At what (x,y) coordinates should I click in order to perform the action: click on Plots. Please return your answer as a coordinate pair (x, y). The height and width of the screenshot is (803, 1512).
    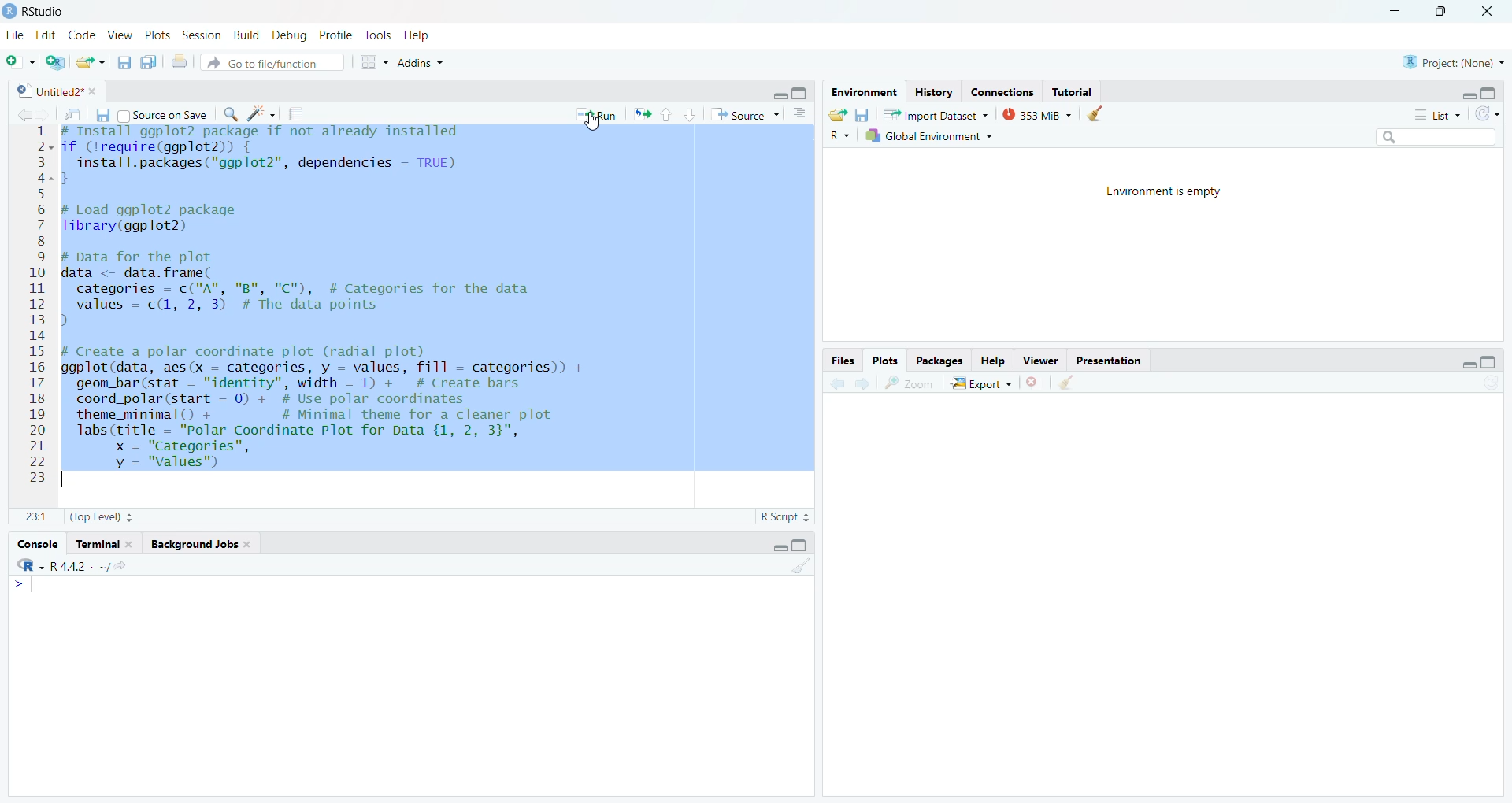
    Looking at the image, I should click on (887, 361).